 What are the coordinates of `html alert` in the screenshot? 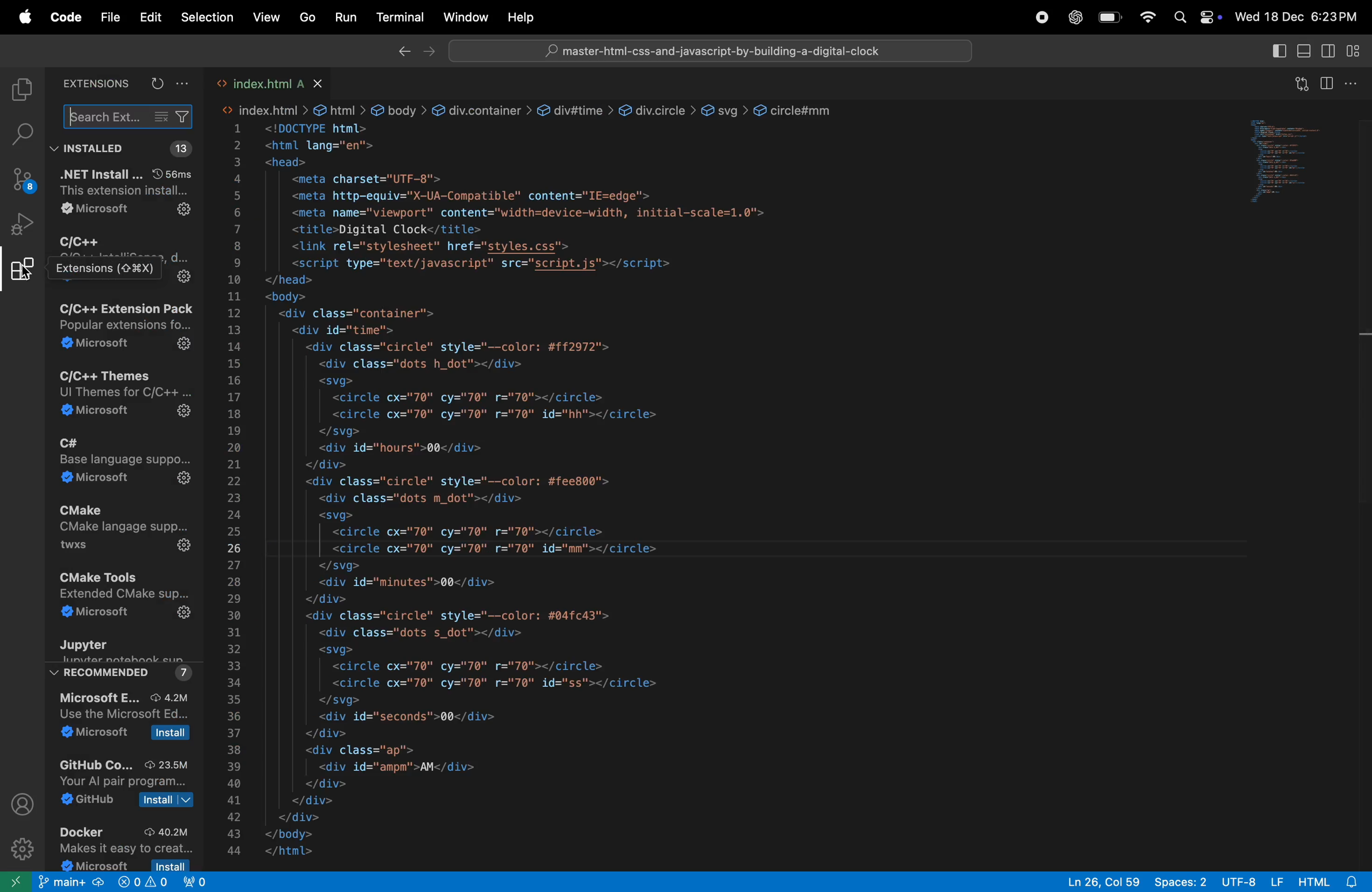 It's located at (1328, 882).